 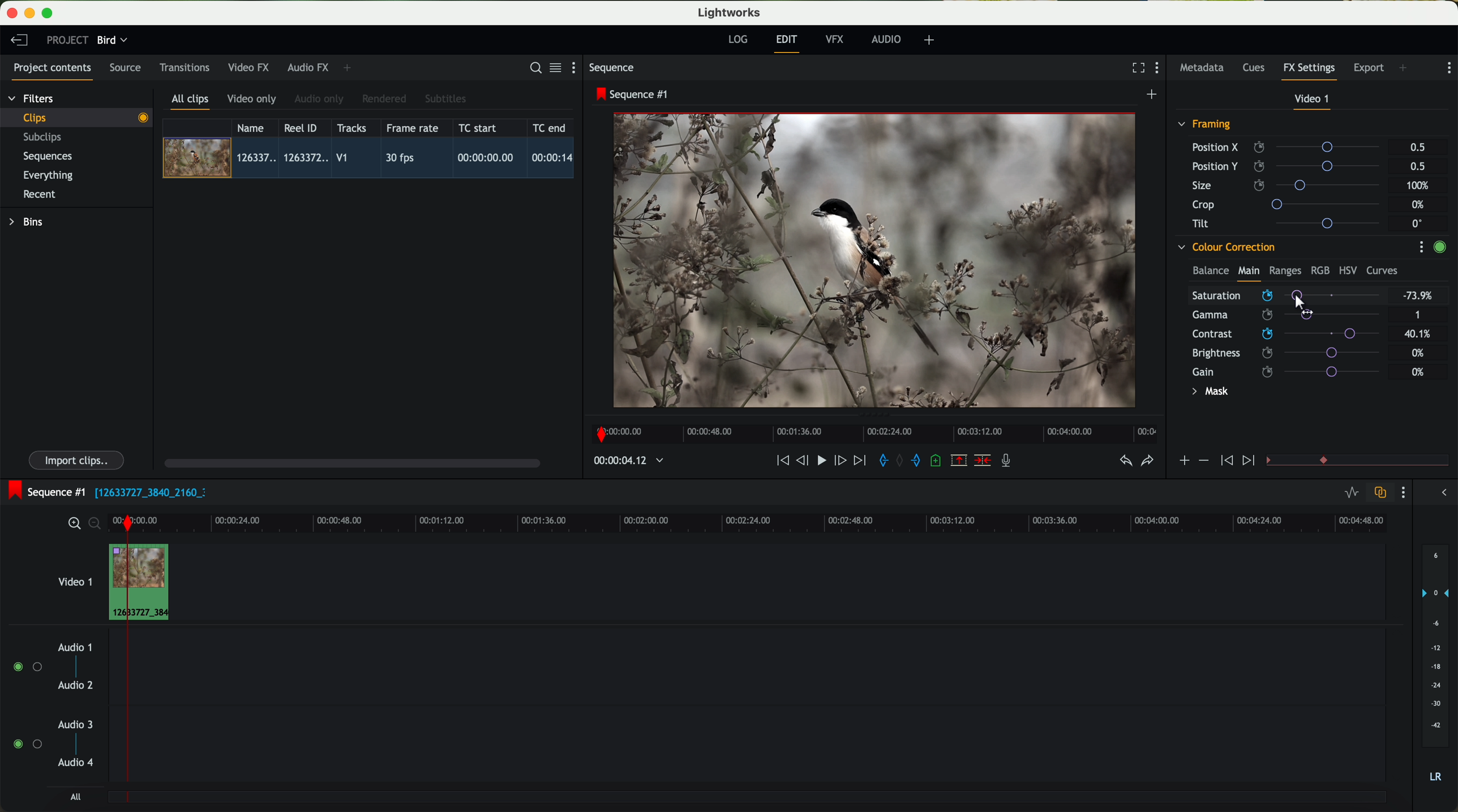 What do you see at coordinates (413, 128) in the screenshot?
I see `frame rate` at bounding box center [413, 128].